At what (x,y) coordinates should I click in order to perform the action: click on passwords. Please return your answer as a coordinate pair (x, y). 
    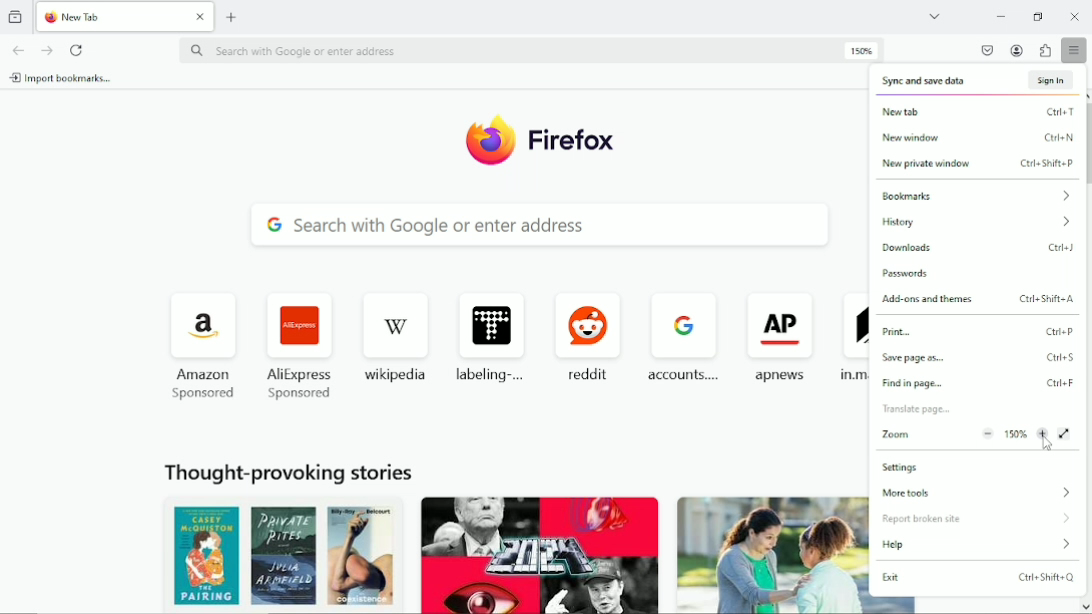
    Looking at the image, I should click on (905, 273).